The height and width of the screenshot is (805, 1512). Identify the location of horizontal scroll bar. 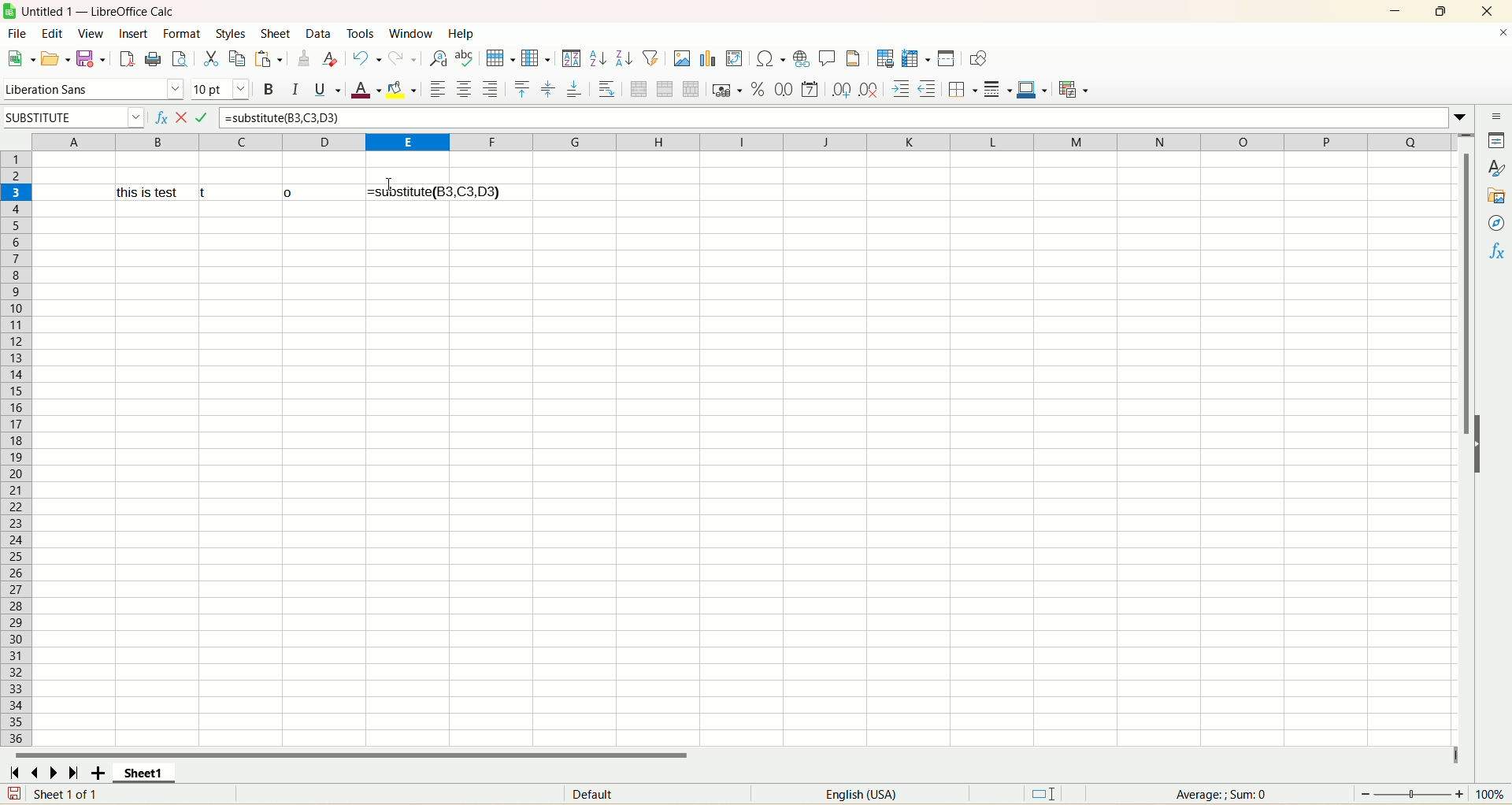
(734, 751).